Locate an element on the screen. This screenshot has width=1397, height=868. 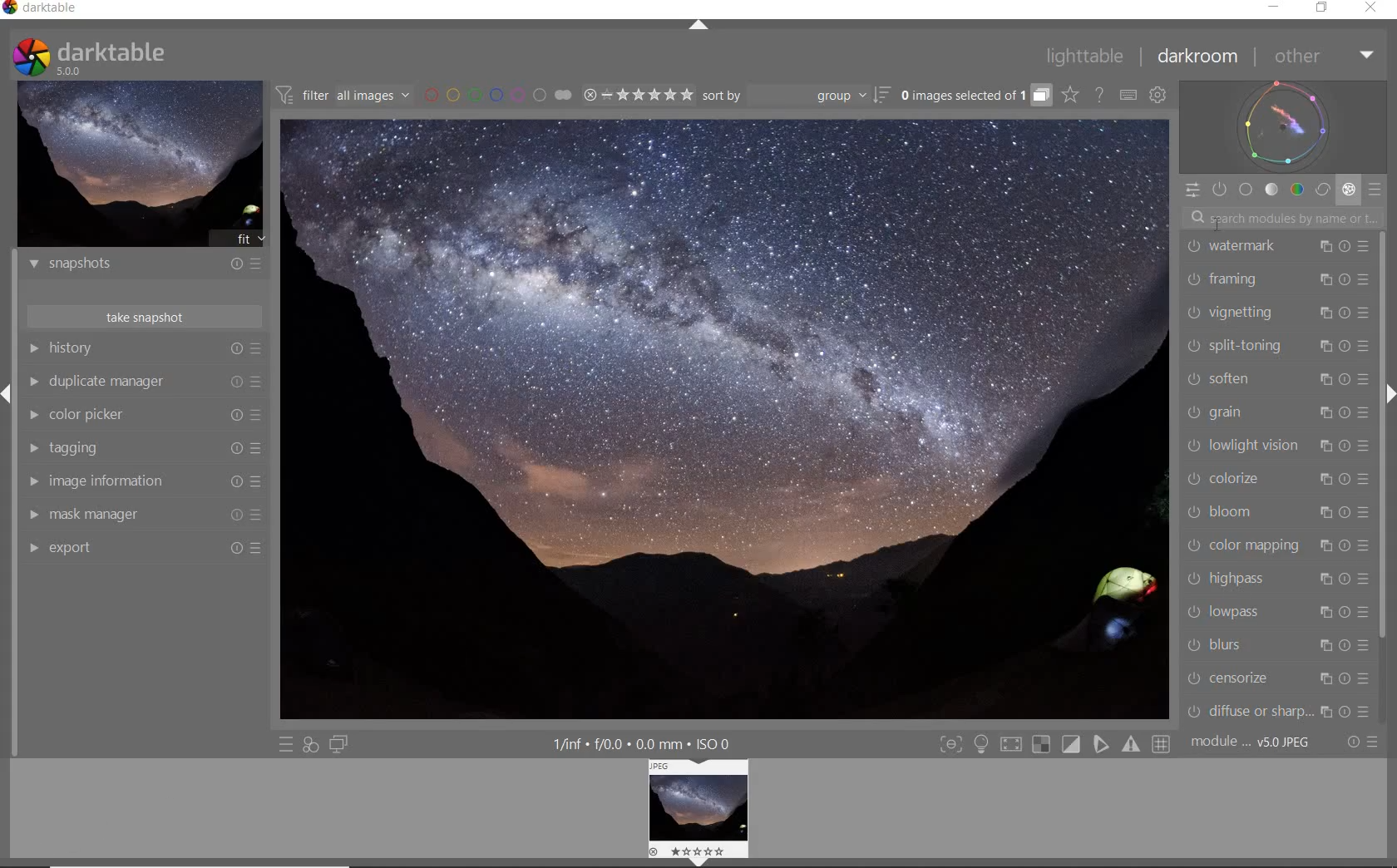
BLOOM is located at coordinates (1221, 512).